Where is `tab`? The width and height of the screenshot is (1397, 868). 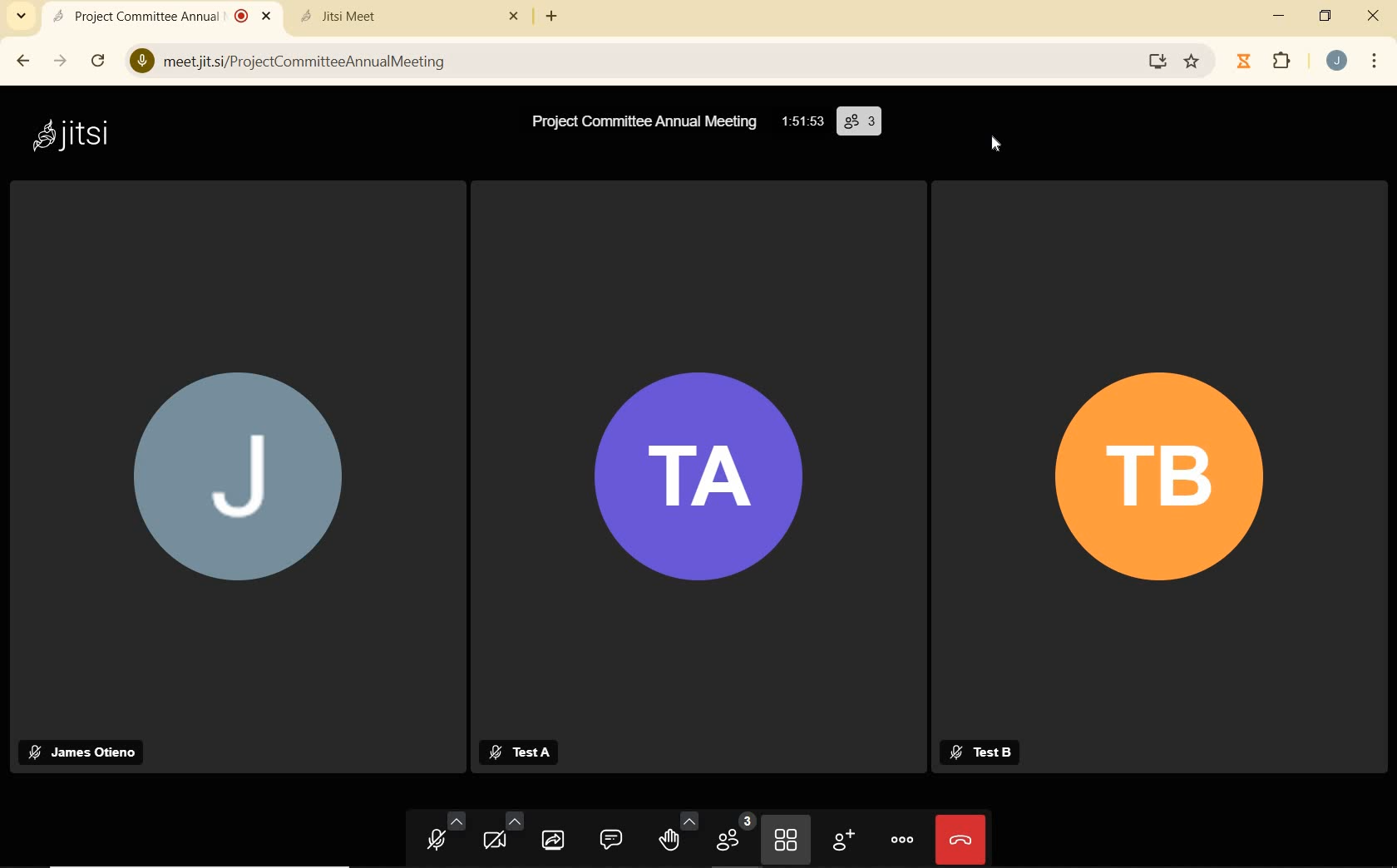
tab is located at coordinates (395, 18).